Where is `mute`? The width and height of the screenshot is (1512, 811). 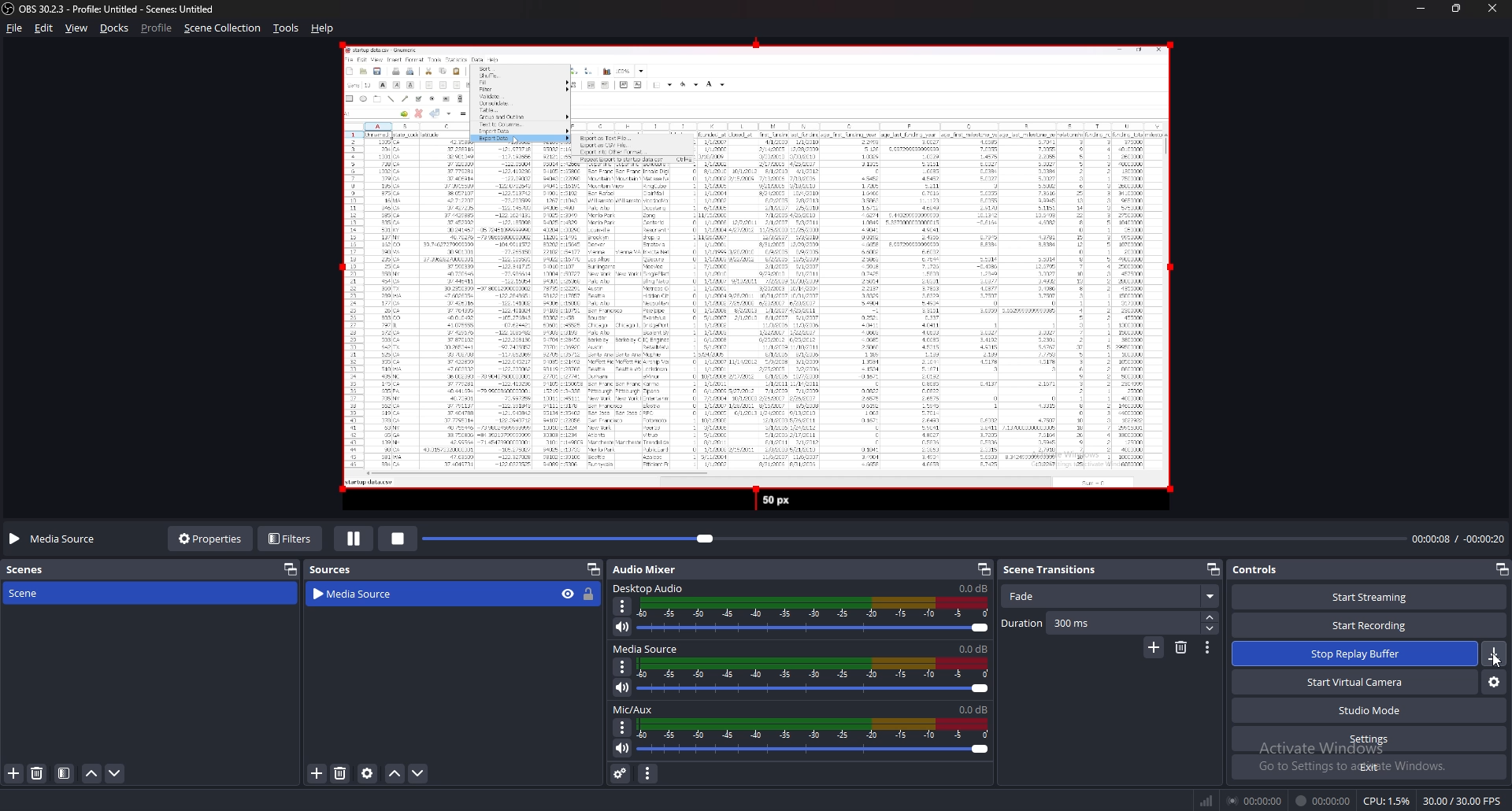 mute is located at coordinates (624, 747).